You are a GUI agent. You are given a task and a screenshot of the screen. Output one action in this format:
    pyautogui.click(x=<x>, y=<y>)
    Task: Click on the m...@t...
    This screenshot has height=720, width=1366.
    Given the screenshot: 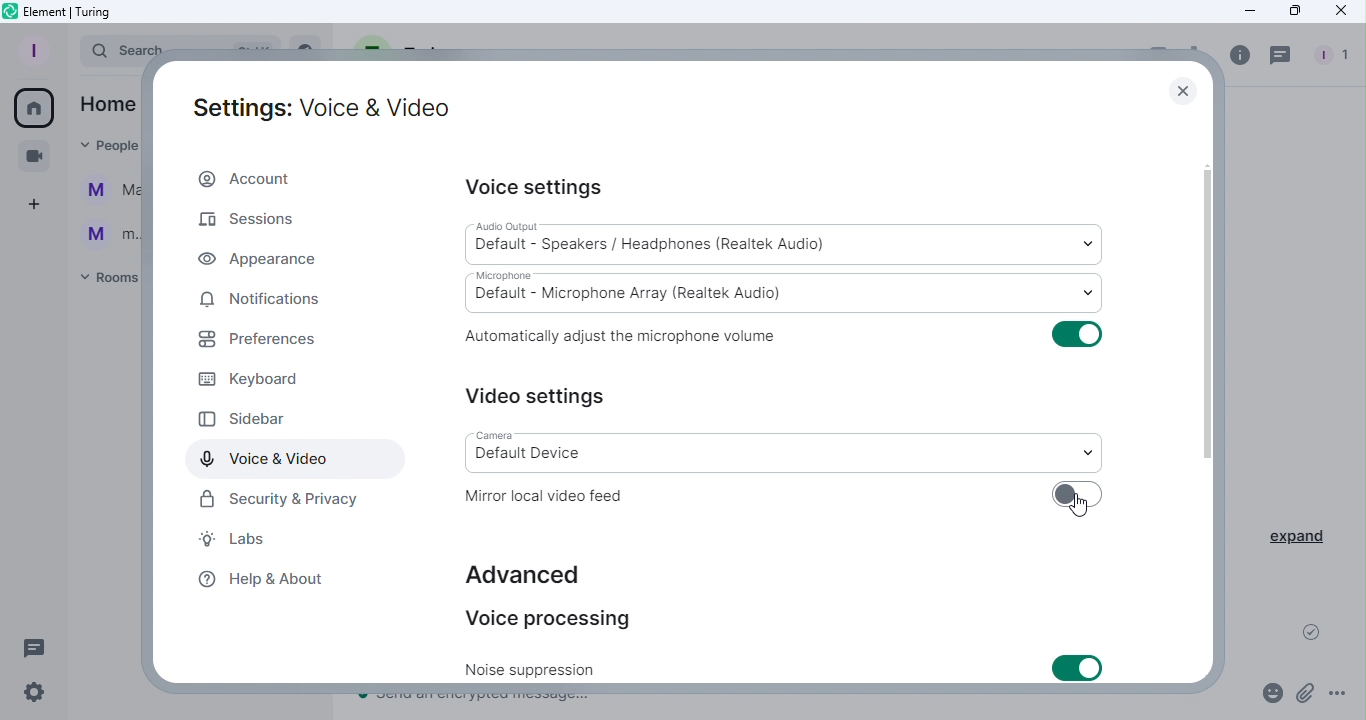 What is the action you would take?
    pyautogui.click(x=114, y=233)
    